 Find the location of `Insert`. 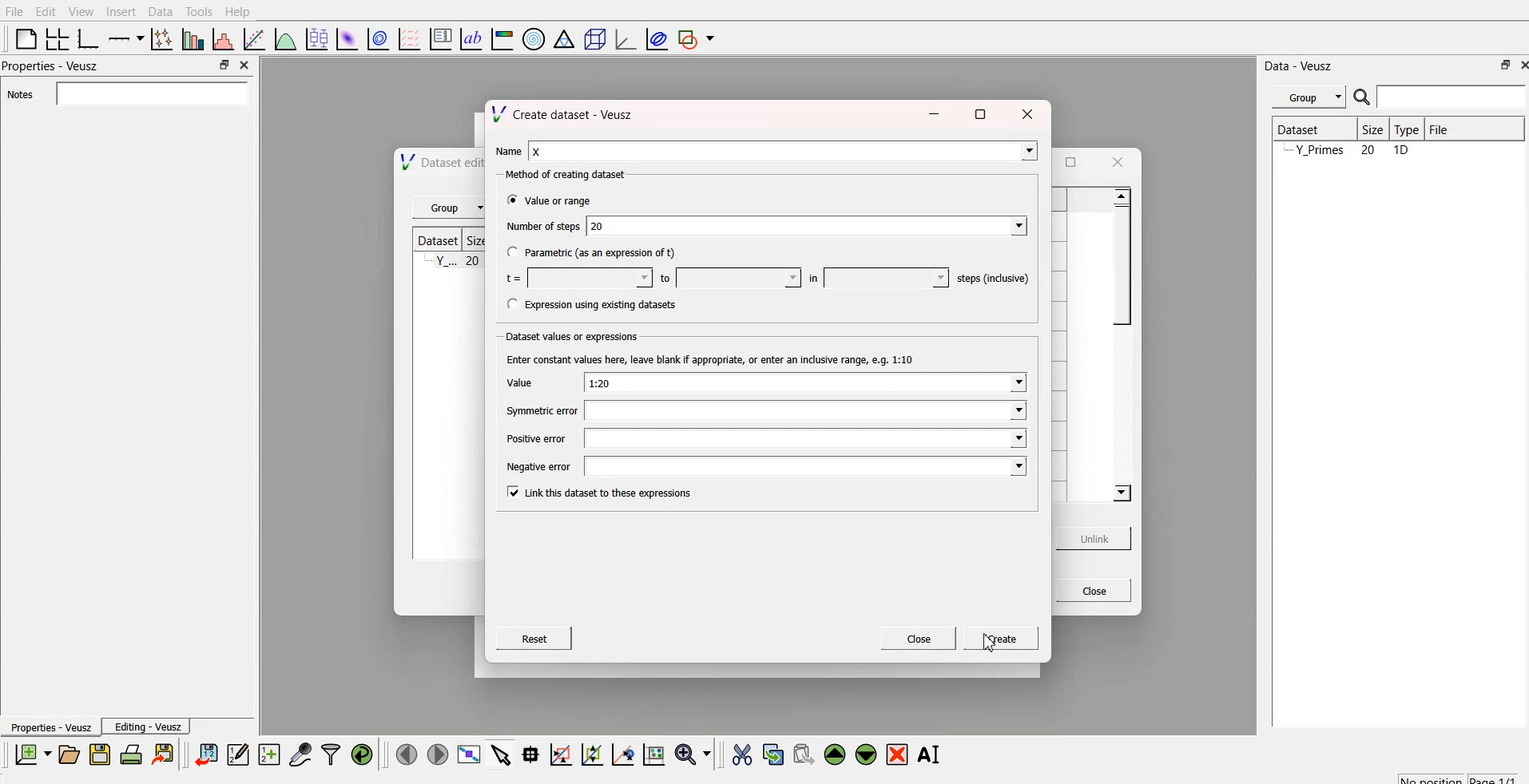

Insert is located at coordinates (121, 11).